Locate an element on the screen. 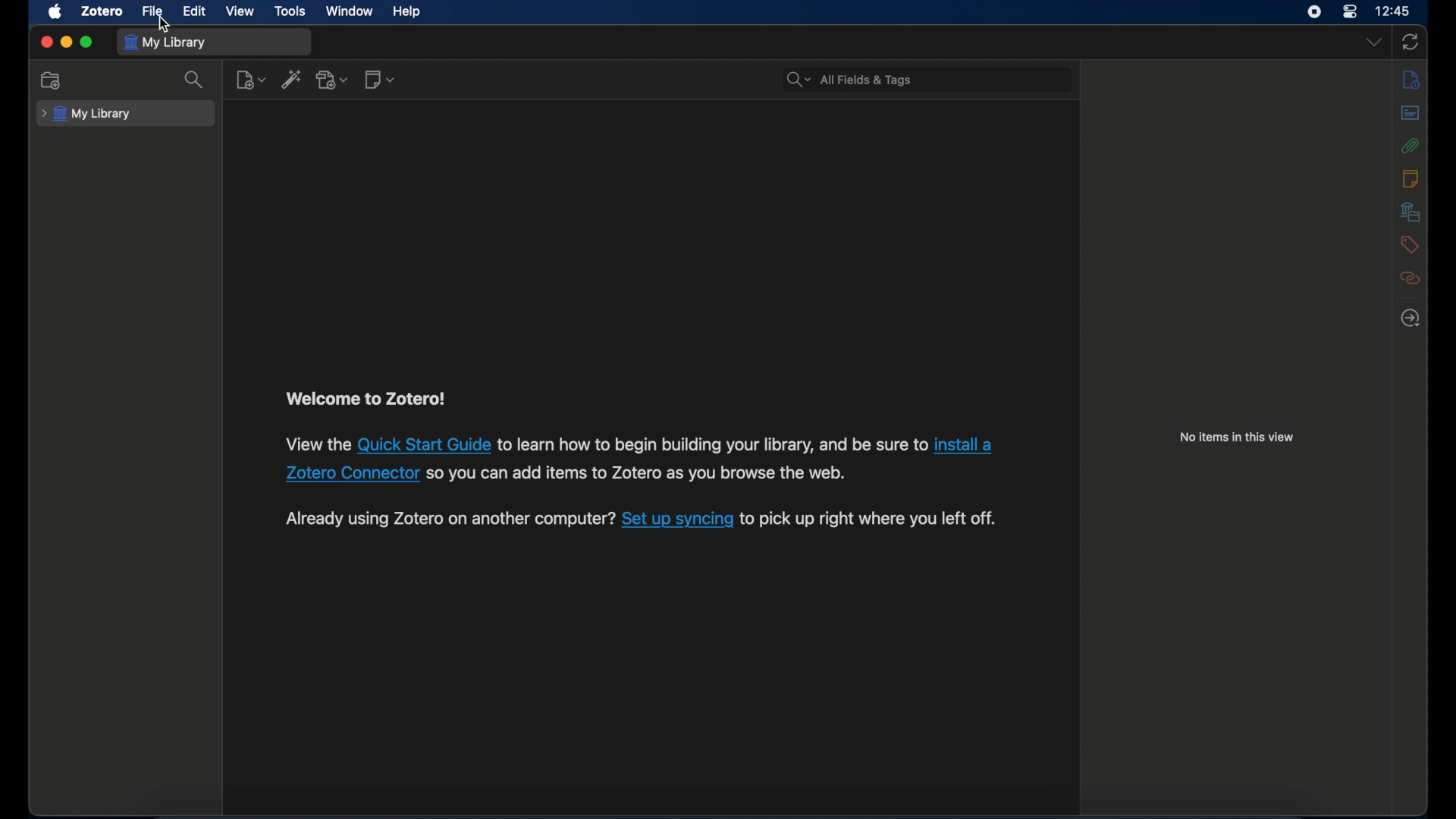  minimize is located at coordinates (67, 42).